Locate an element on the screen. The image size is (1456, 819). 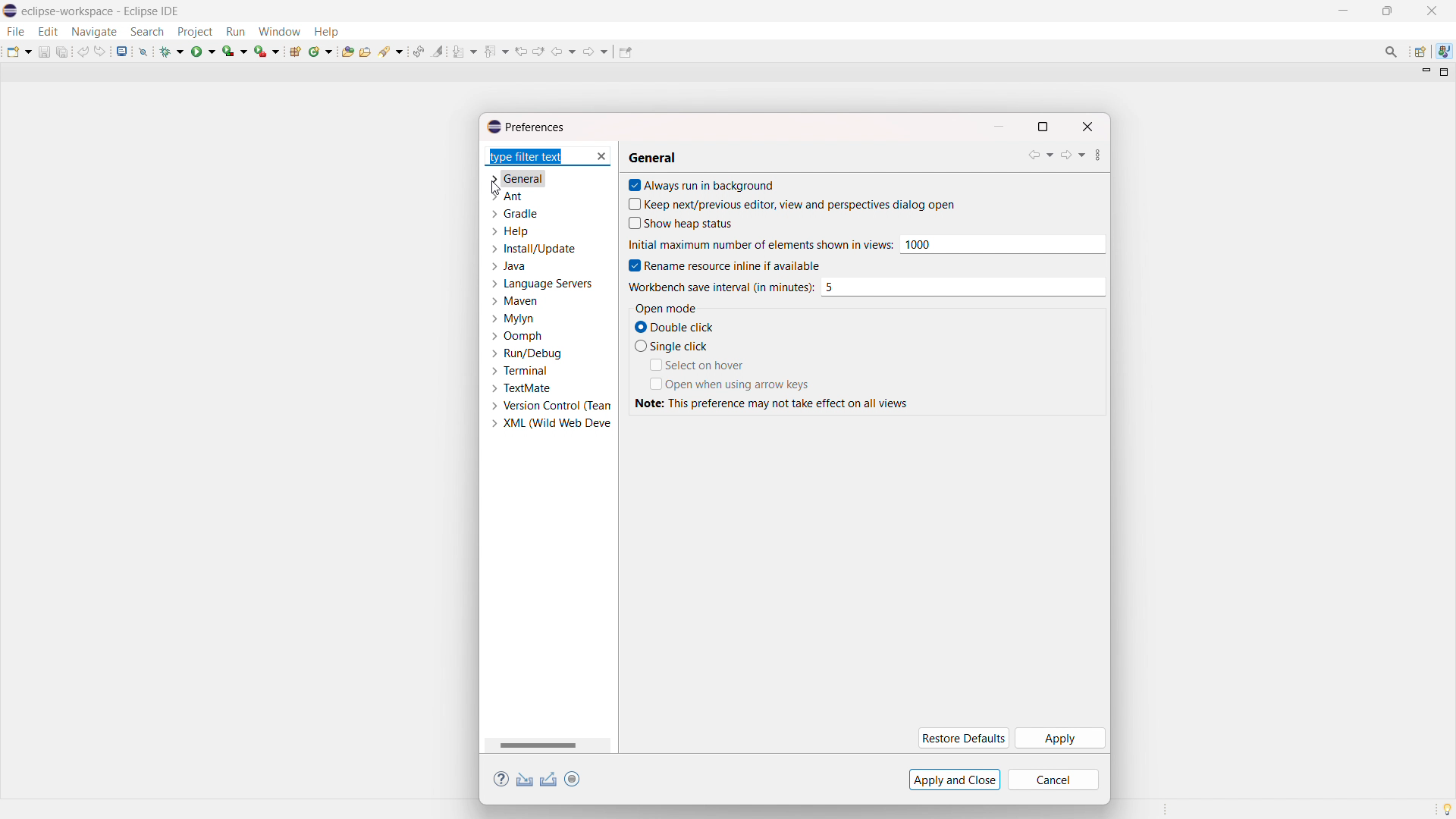
maximize view is located at coordinates (1445, 72).